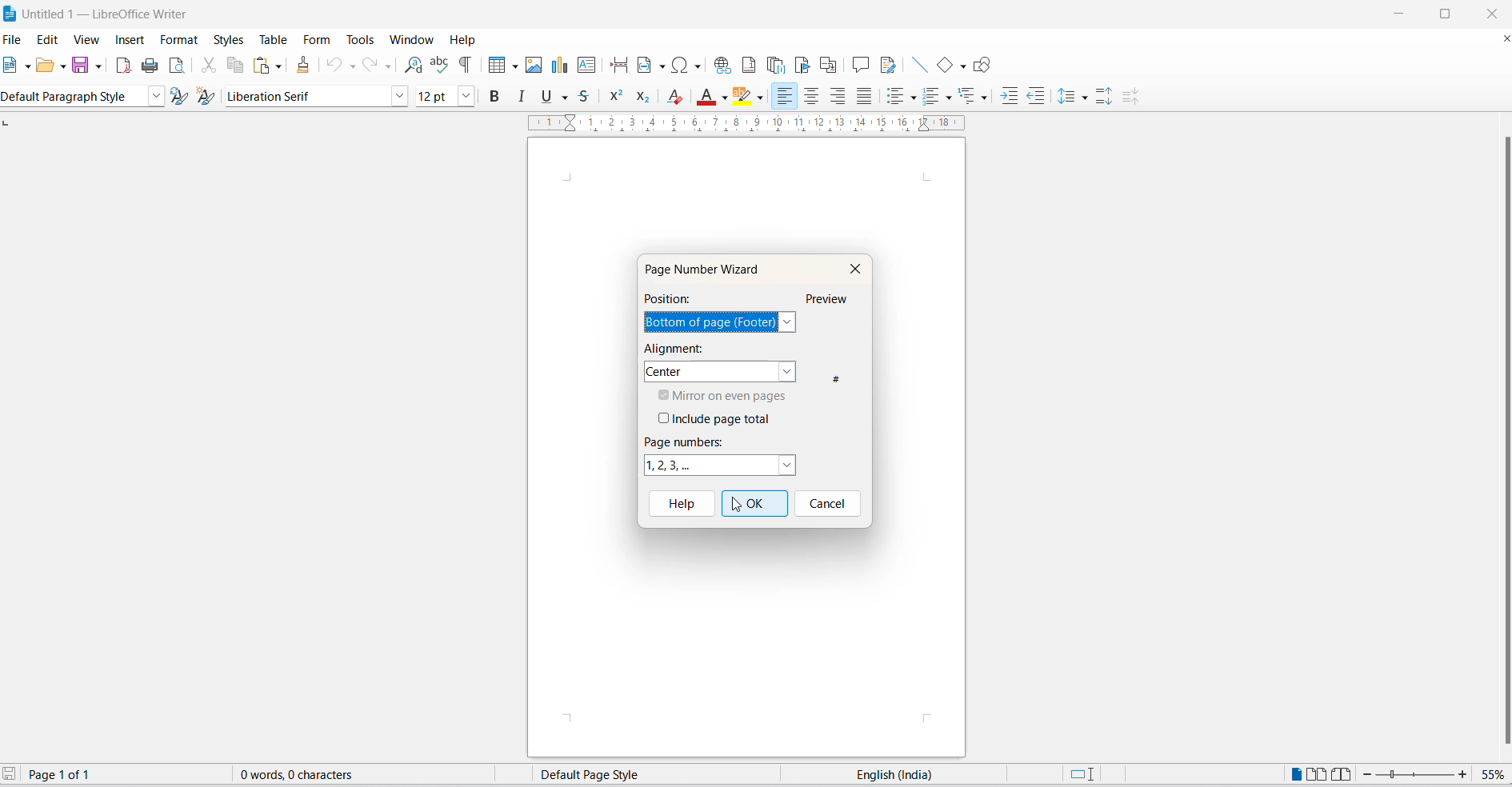  What do you see at coordinates (440, 66) in the screenshot?
I see `spellings` at bounding box center [440, 66].